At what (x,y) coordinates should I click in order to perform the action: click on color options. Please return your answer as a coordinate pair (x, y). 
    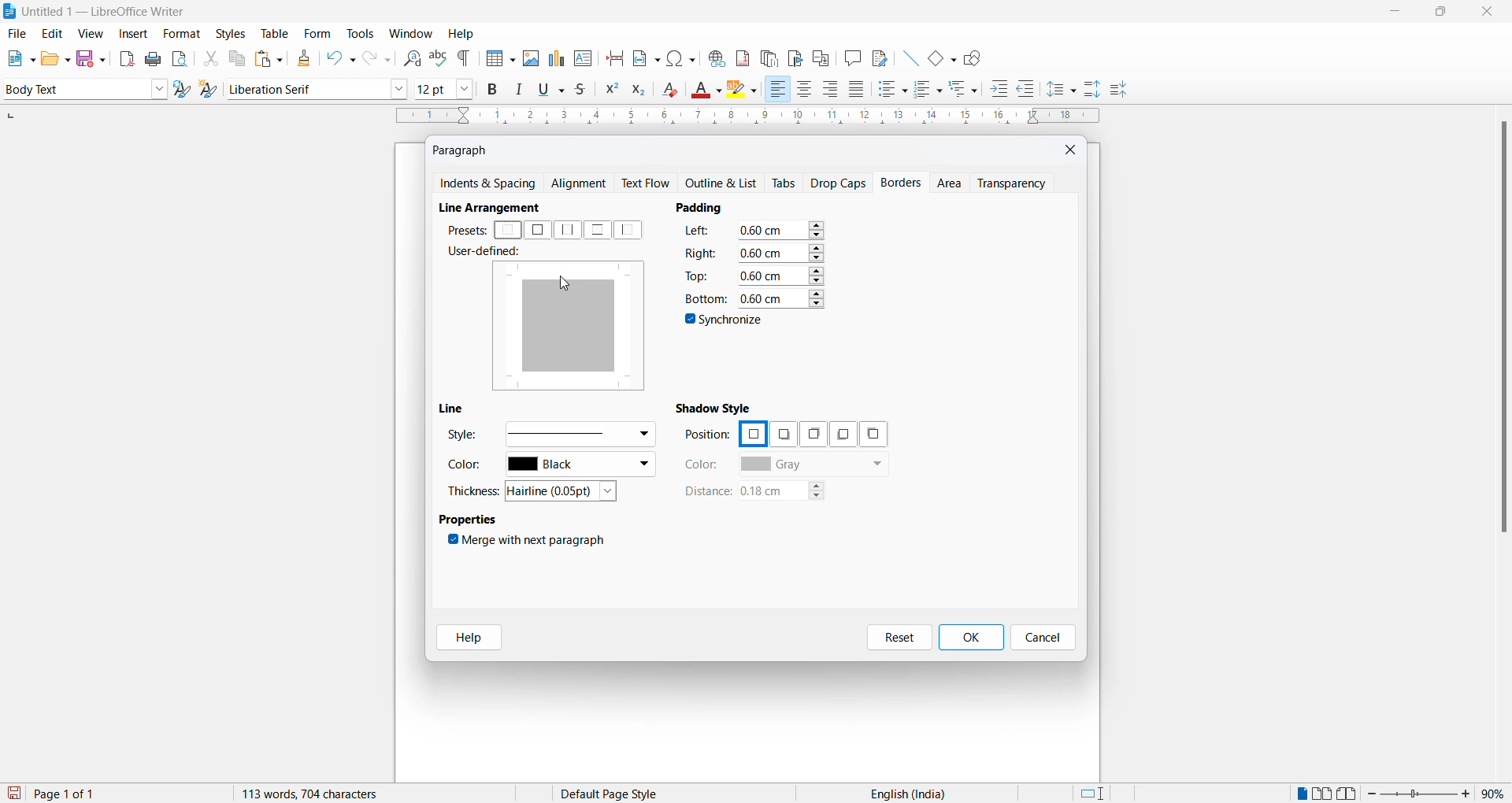
    Looking at the image, I should click on (813, 465).